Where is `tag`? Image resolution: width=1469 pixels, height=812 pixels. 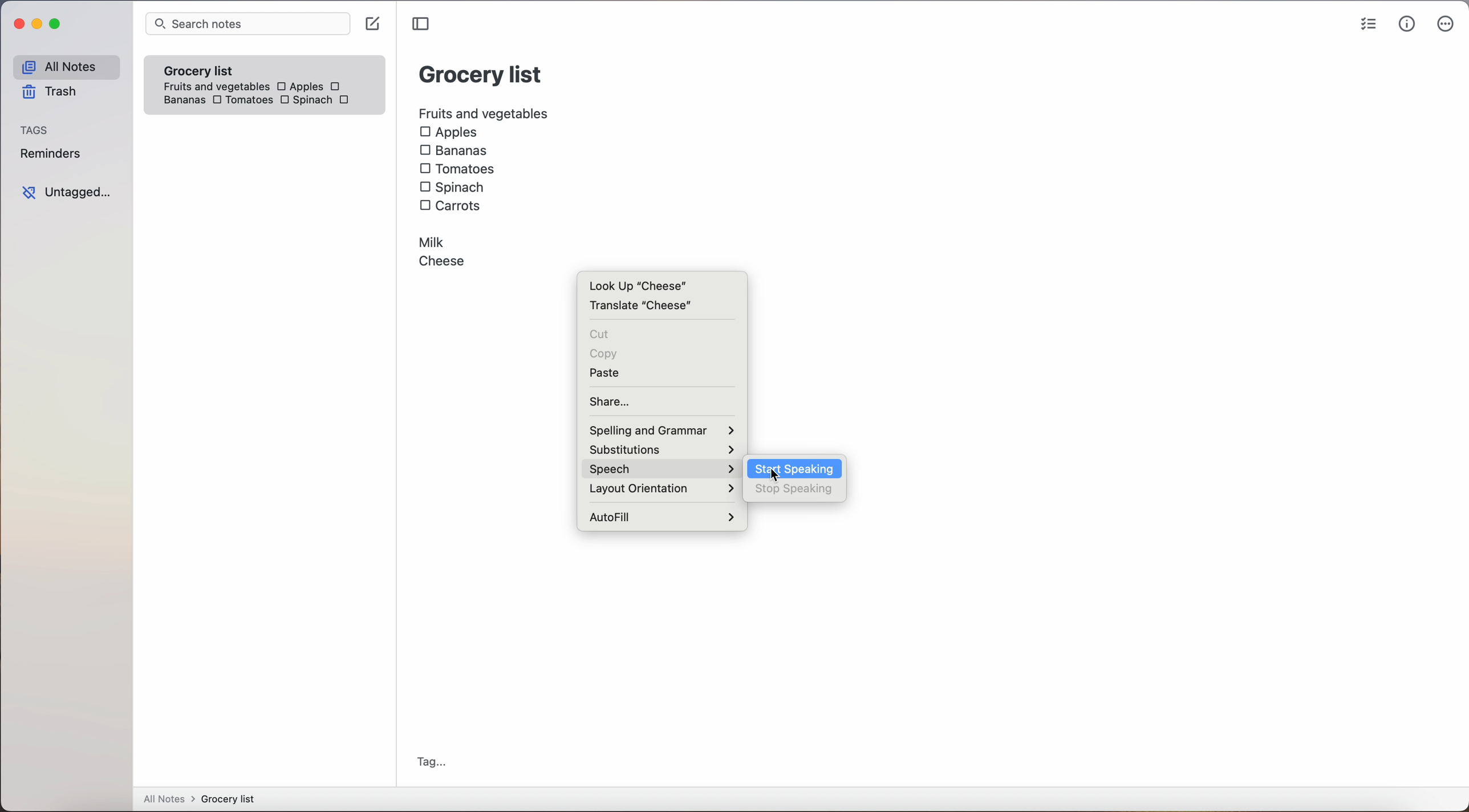 tag is located at coordinates (433, 762).